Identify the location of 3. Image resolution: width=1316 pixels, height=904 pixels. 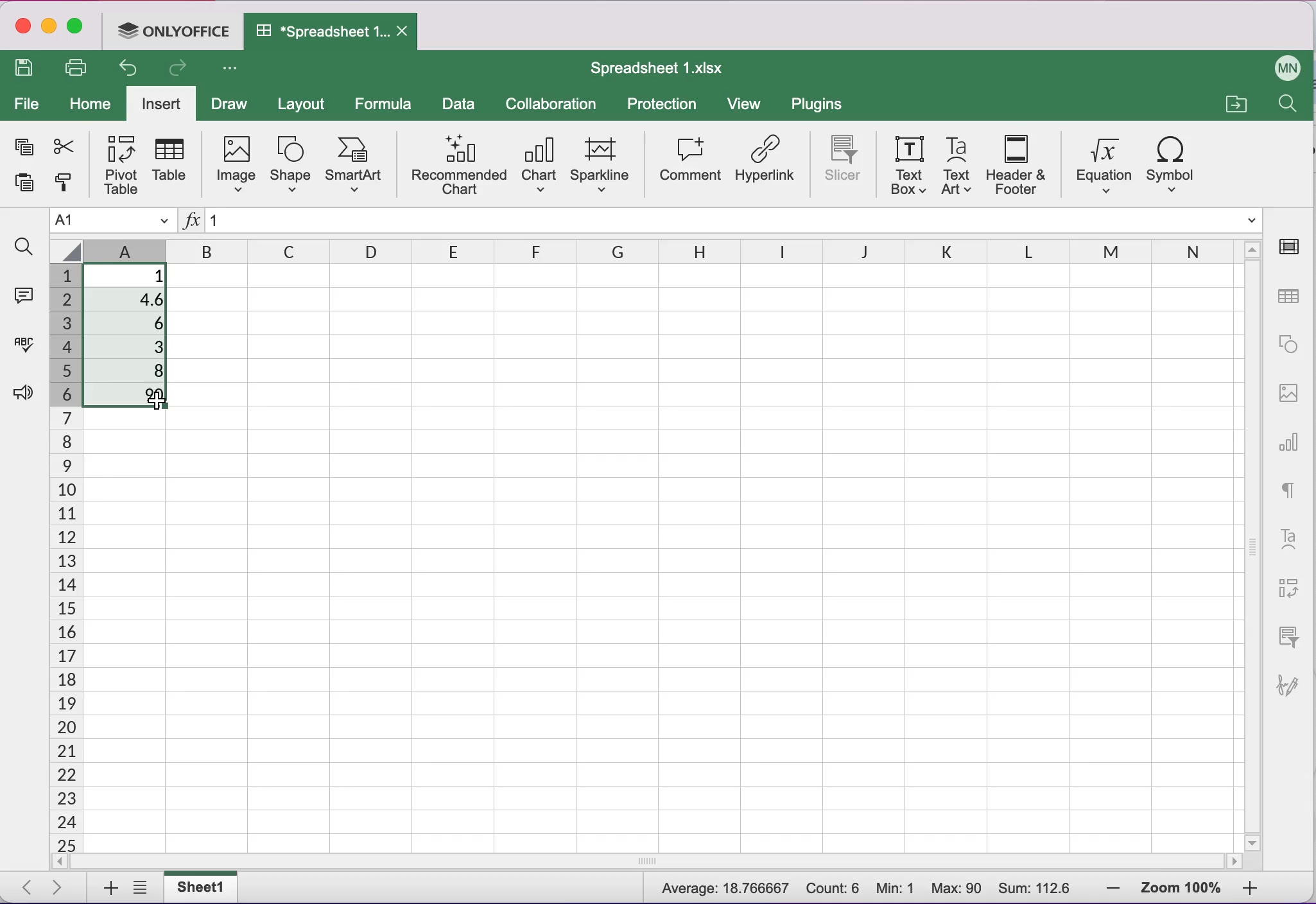
(134, 346).